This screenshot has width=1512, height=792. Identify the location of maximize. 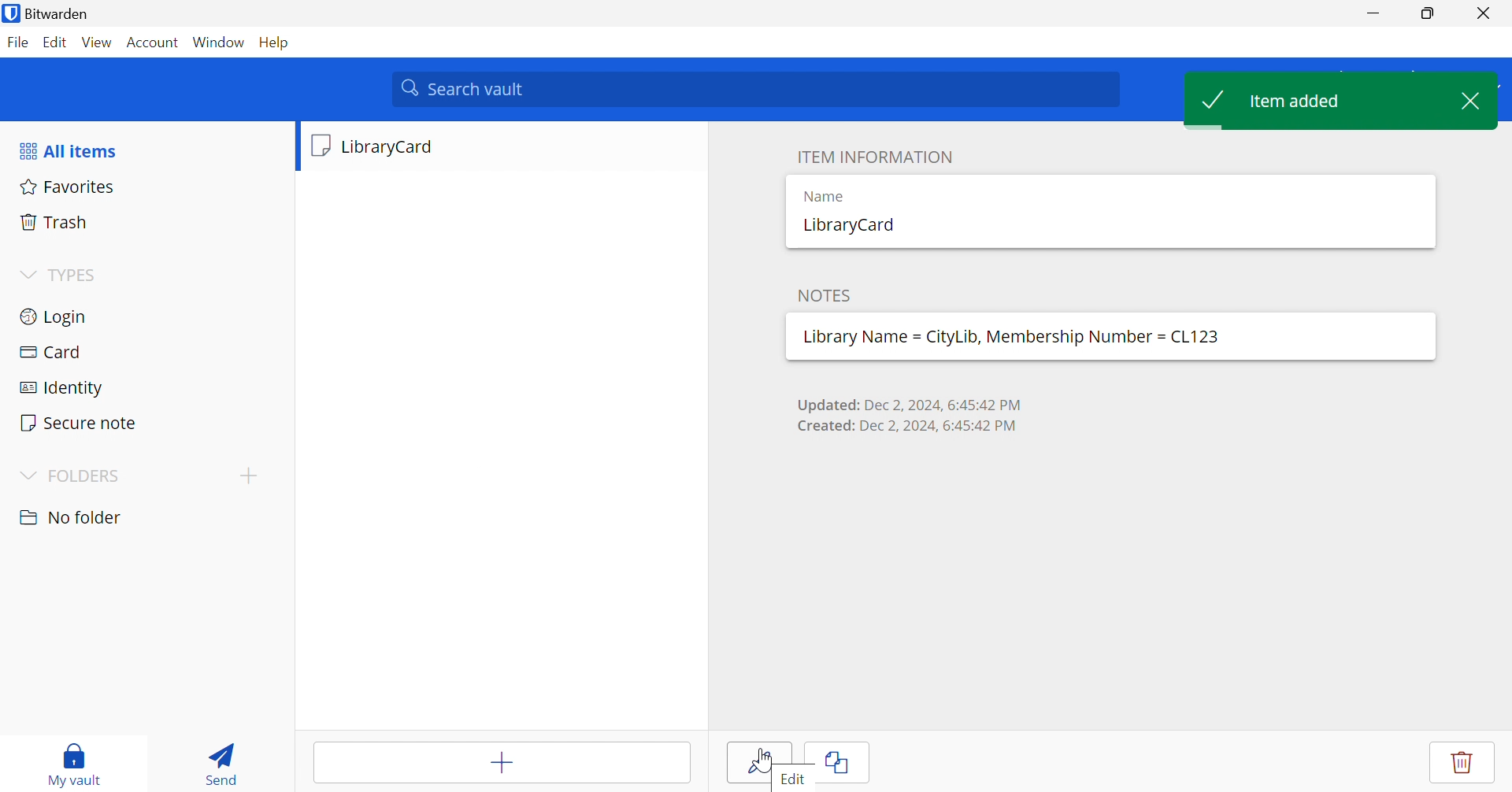
(1427, 13).